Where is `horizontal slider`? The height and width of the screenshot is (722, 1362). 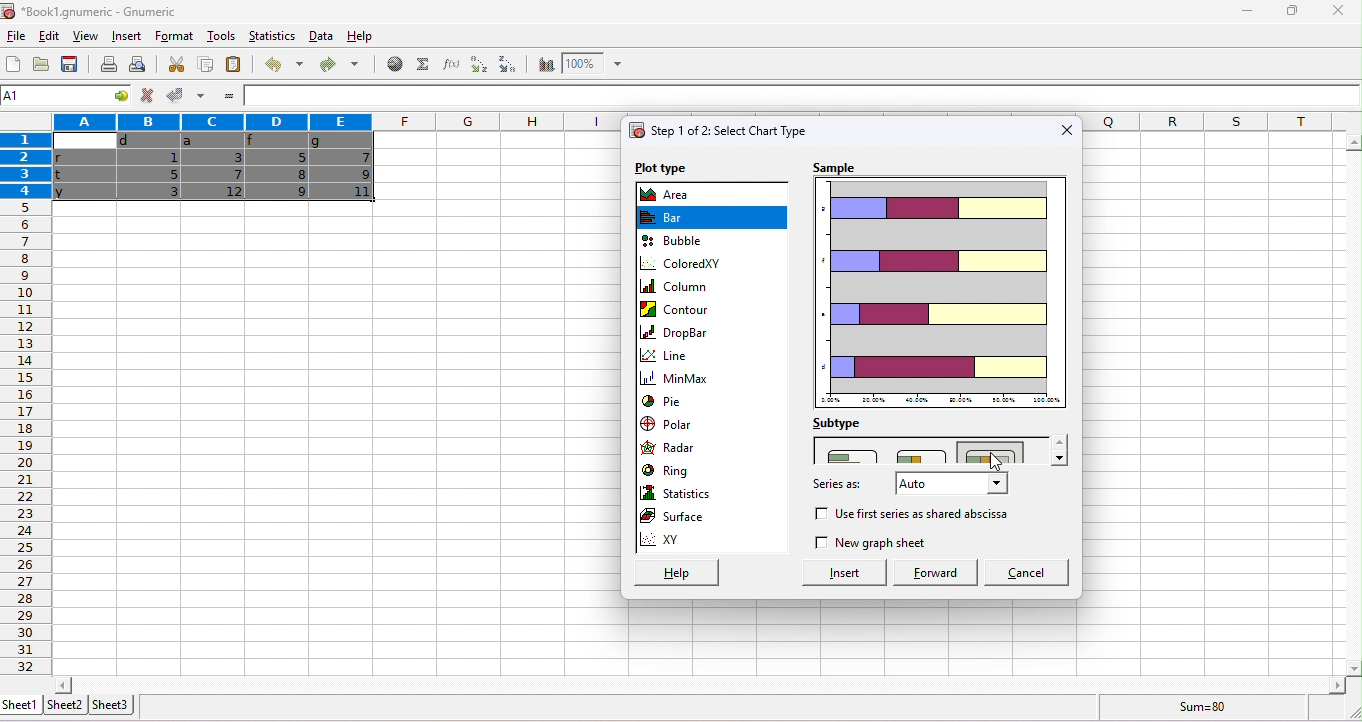 horizontal slider is located at coordinates (699, 686).